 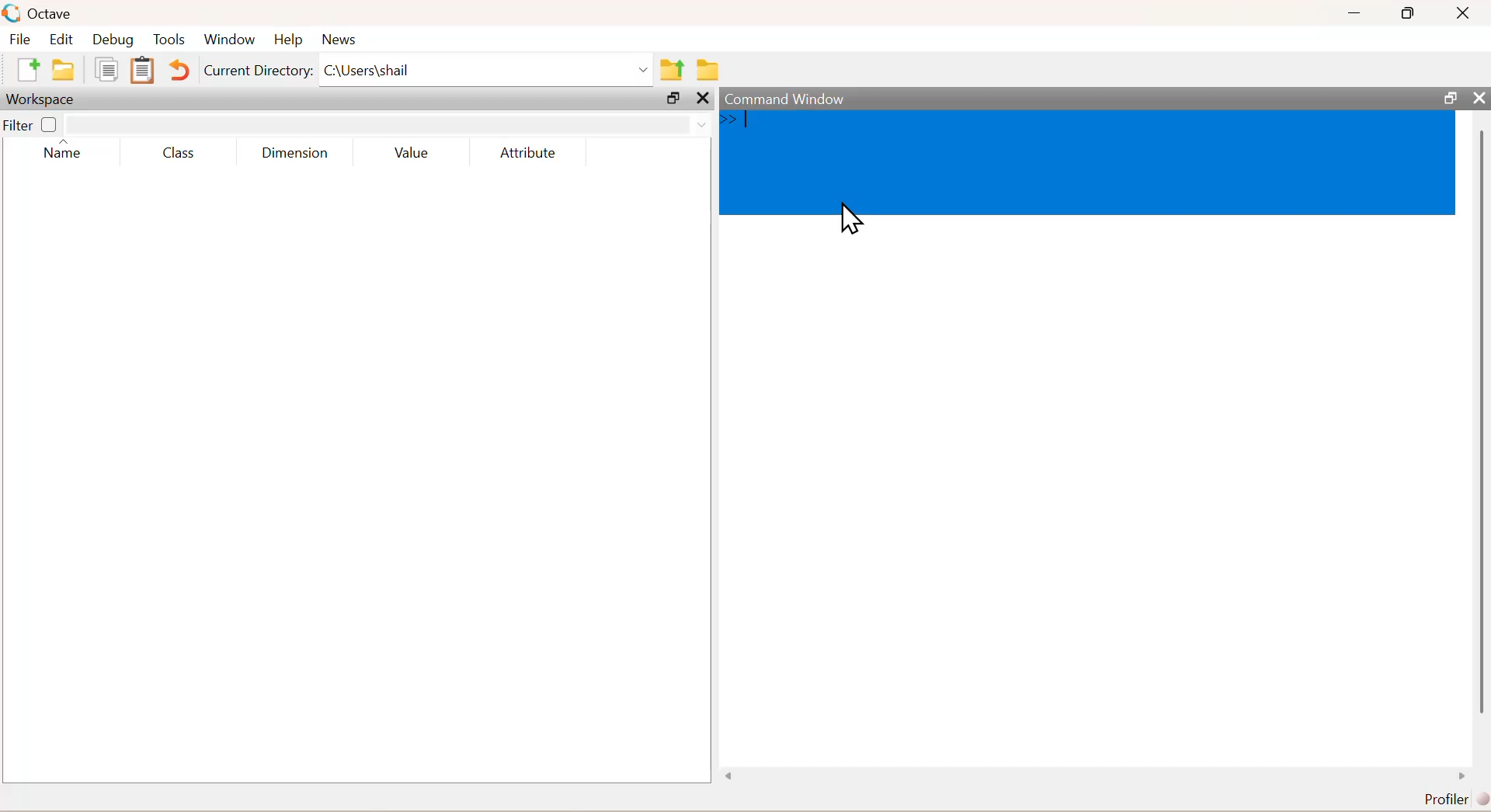 I want to click on file, so click(x=20, y=38).